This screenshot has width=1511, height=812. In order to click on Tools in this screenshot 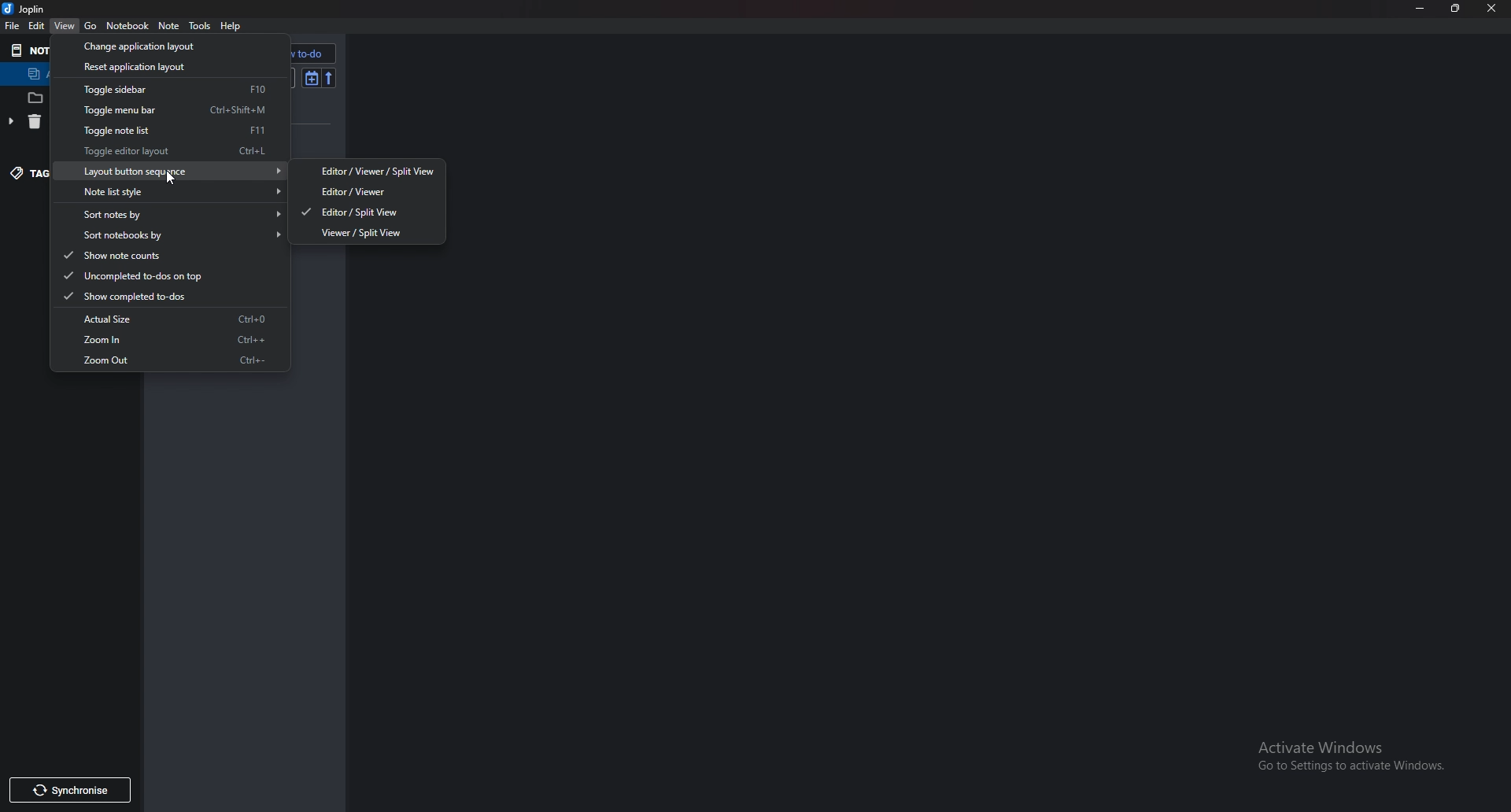, I will do `click(200, 27)`.